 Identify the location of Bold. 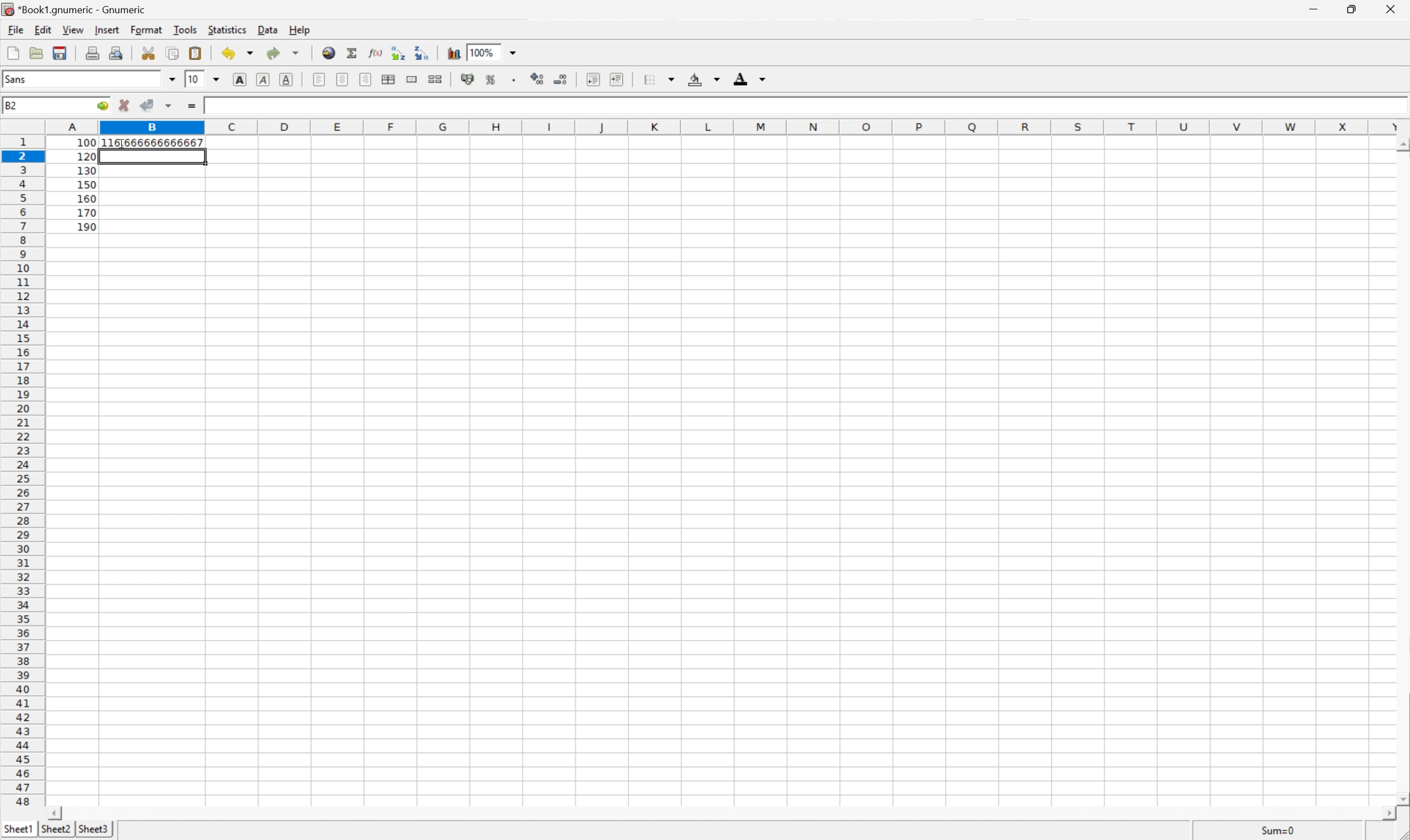
(241, 82).